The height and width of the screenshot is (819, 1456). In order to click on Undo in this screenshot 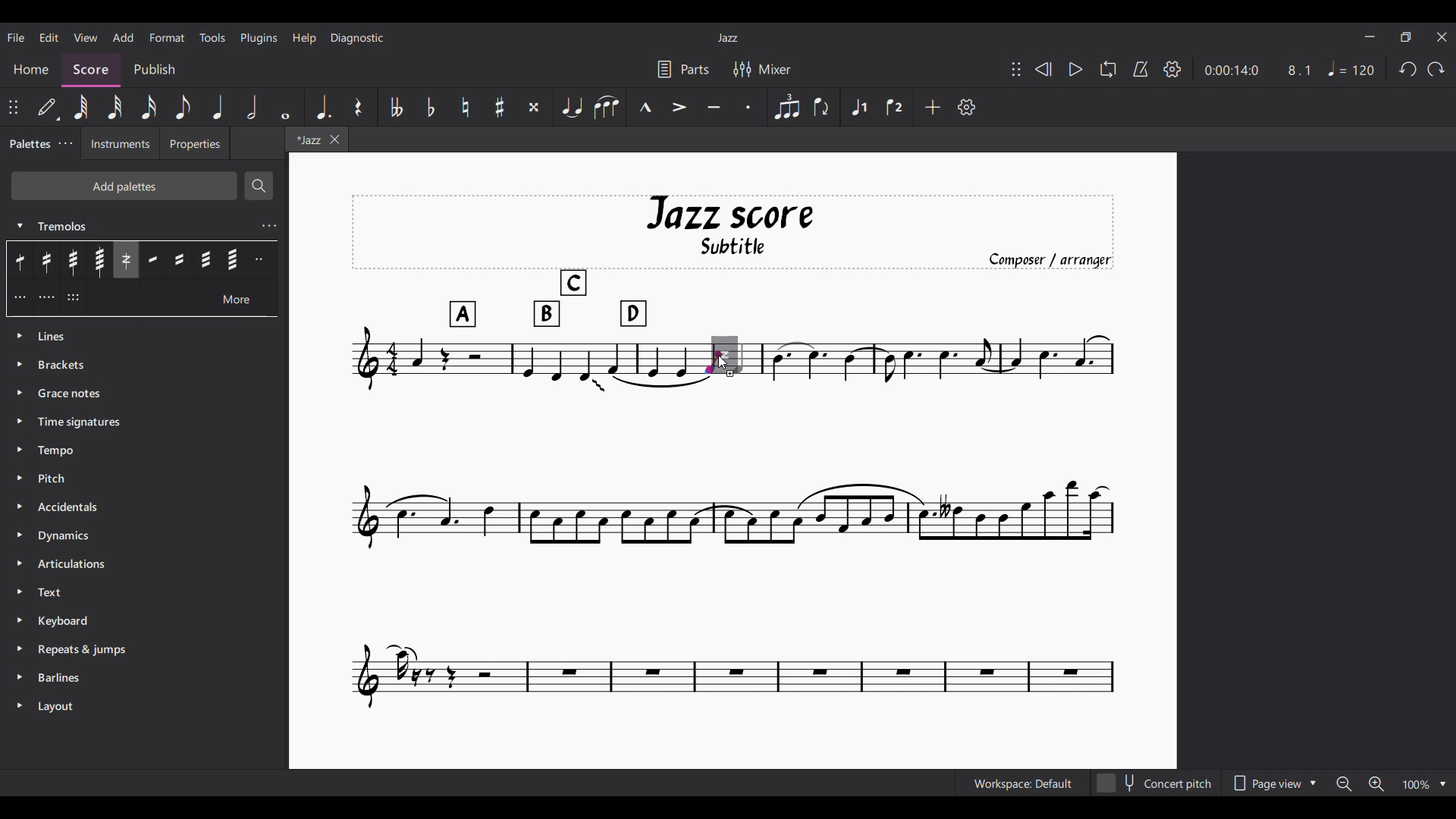, I will do `click(1408, 69)`.